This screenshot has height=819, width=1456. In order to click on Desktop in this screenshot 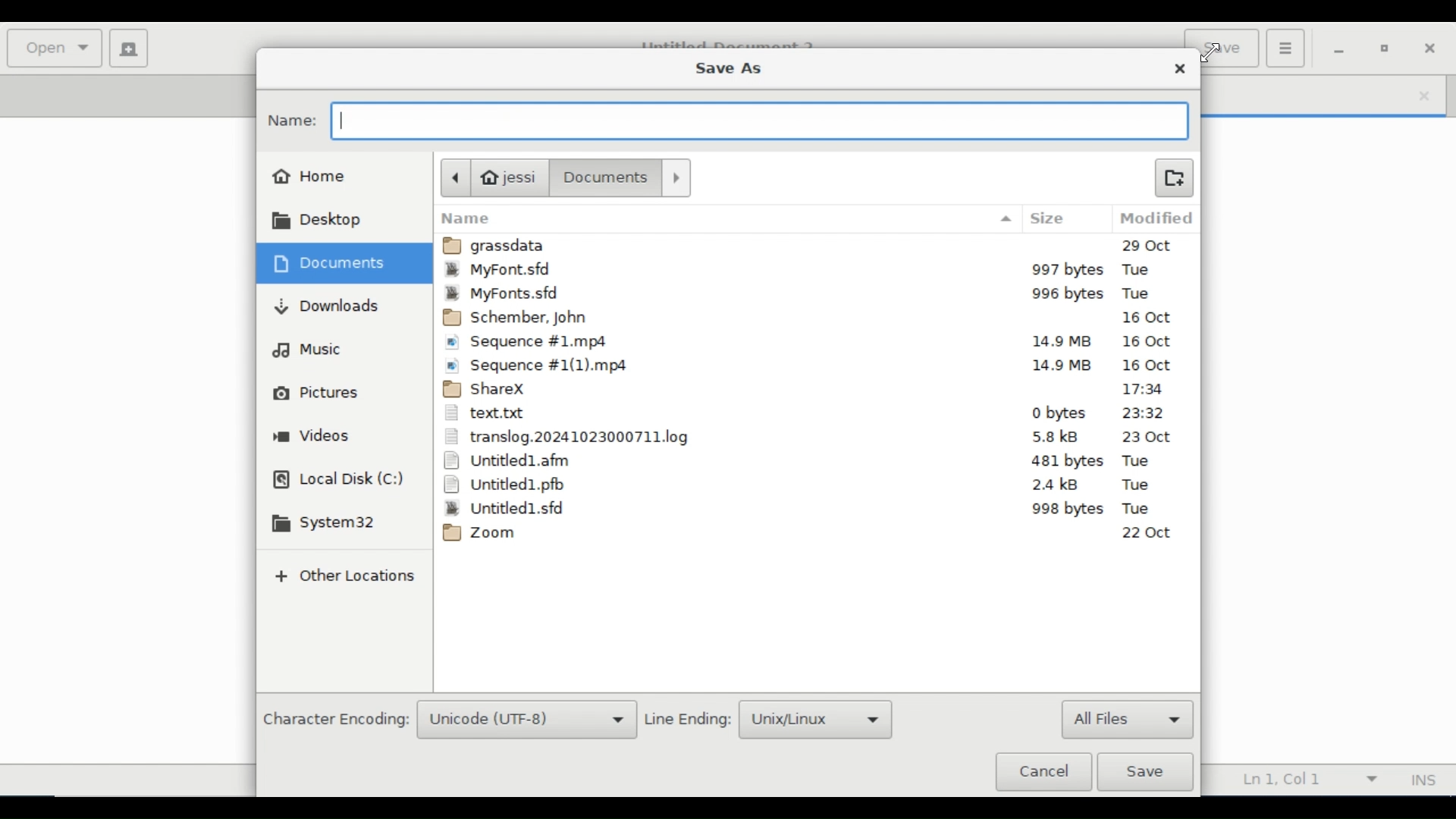, I will do `click(312, 222)`.